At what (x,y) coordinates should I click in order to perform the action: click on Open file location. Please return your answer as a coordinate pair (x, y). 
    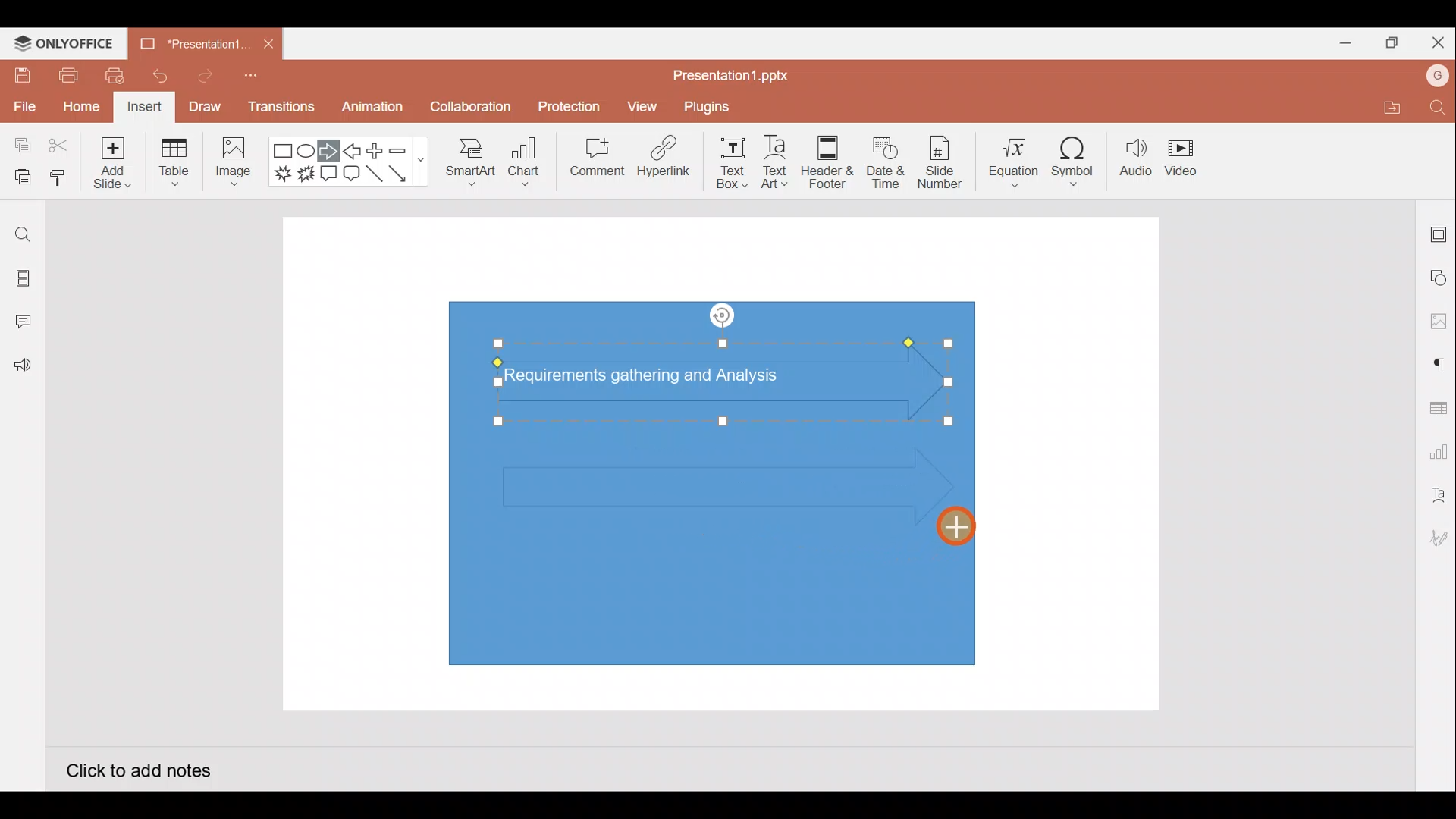
    Looking at the image, I should click on (1389, 107).